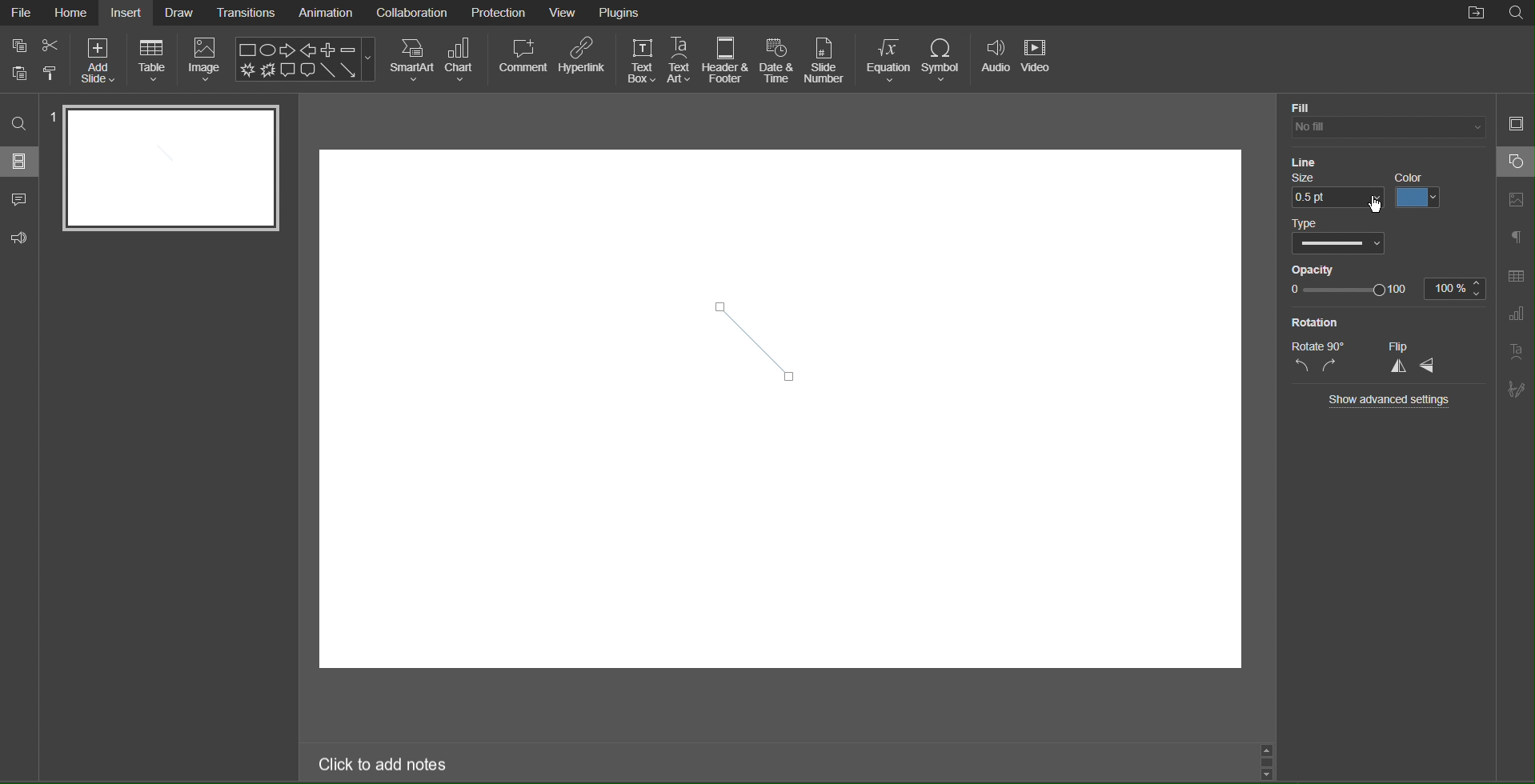 Image resolution: width=1535 pixels, height=784 pixels. I want to click on Cut, so click(54, 48).